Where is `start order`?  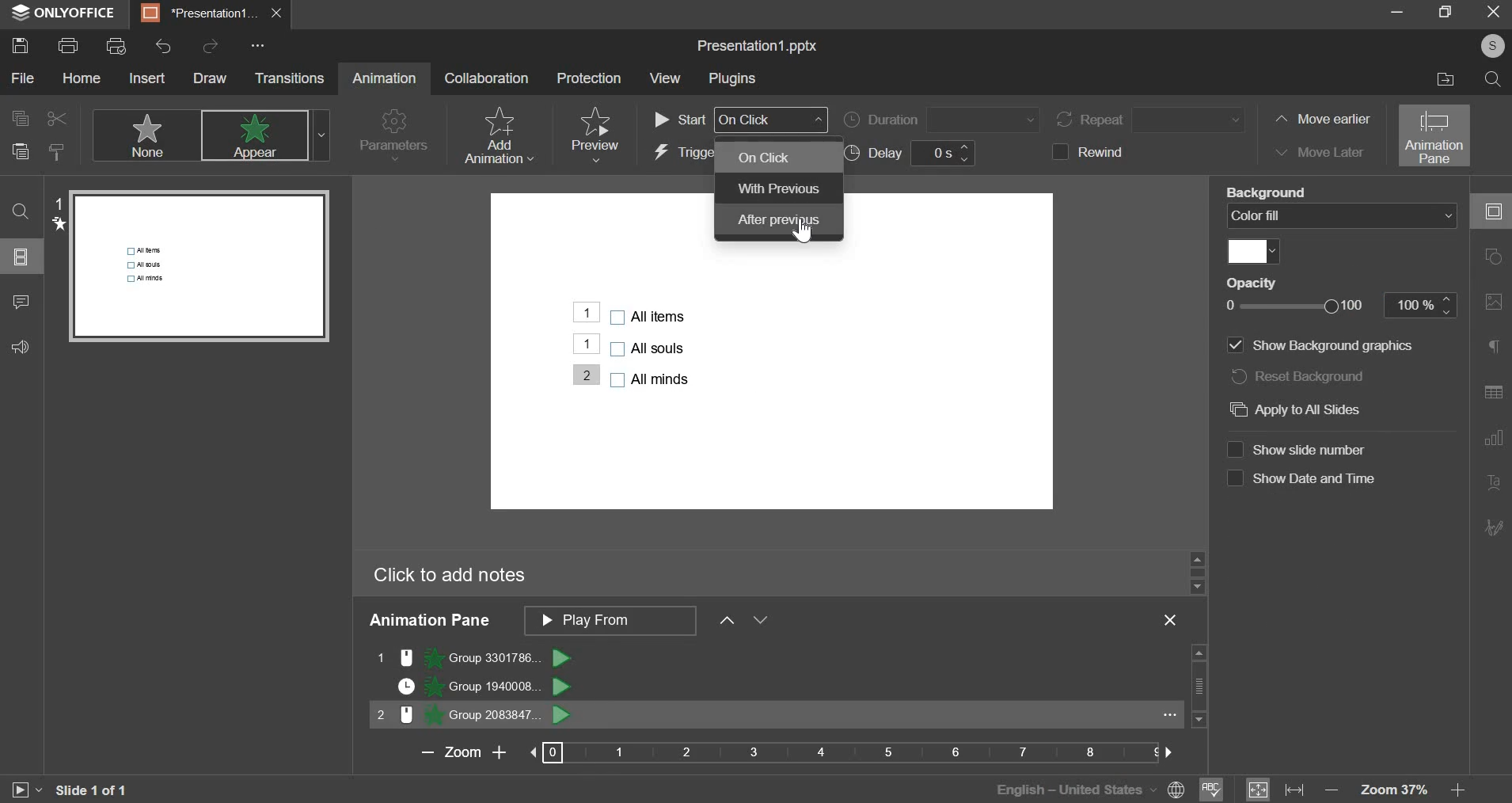 start order is located at coordinates (737, 120).